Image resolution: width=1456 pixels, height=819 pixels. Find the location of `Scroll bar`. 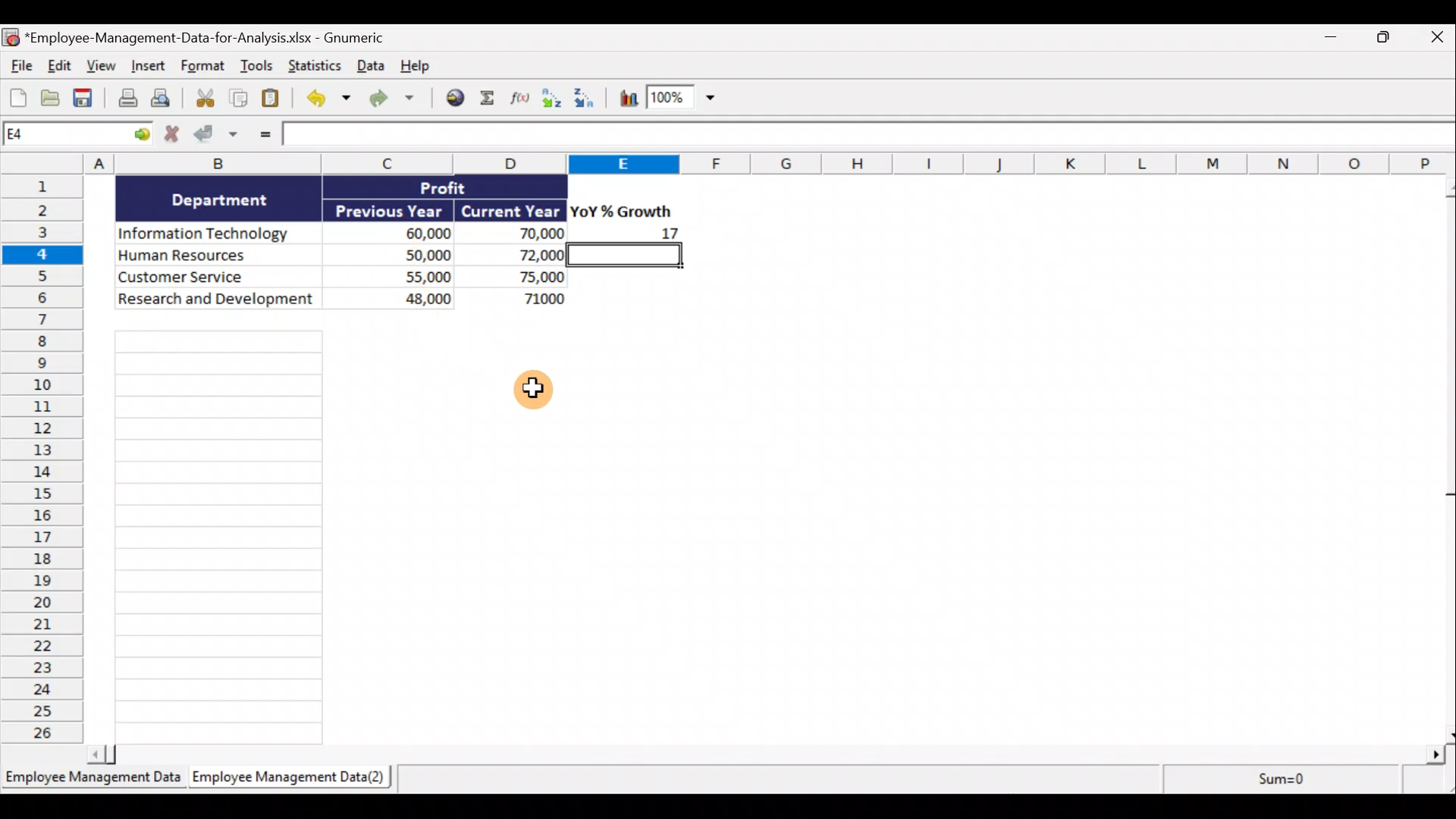

Scroll bar is located at coordinates (1447, 460).